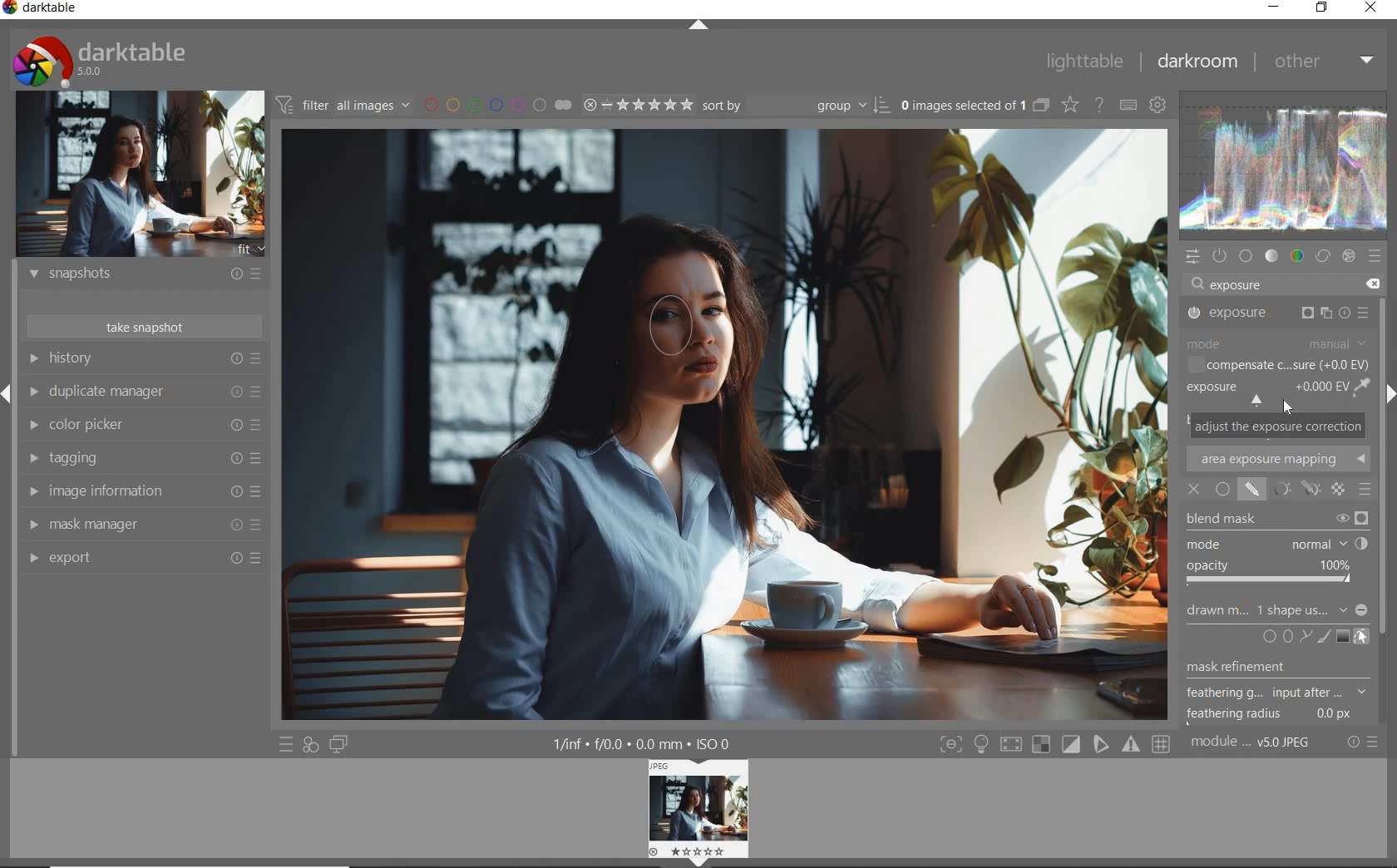 Image resolution: width=1397 pixels, height=868 pixels. I want to click on tagging, so click(146, 459).